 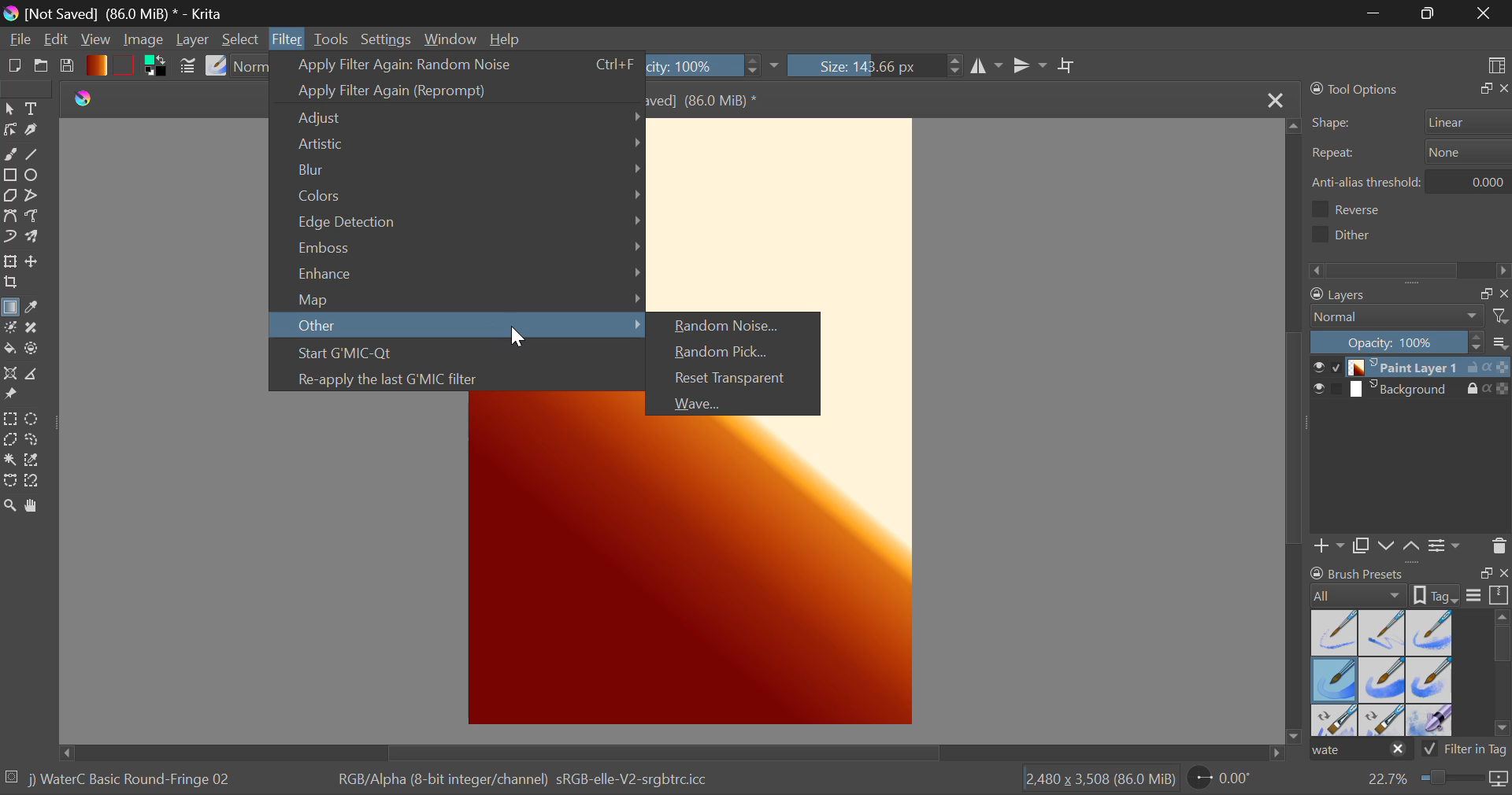 What do you see at coordinates (94, 40) in the screenshot?
I see `View` at bounding box center [94, 40].